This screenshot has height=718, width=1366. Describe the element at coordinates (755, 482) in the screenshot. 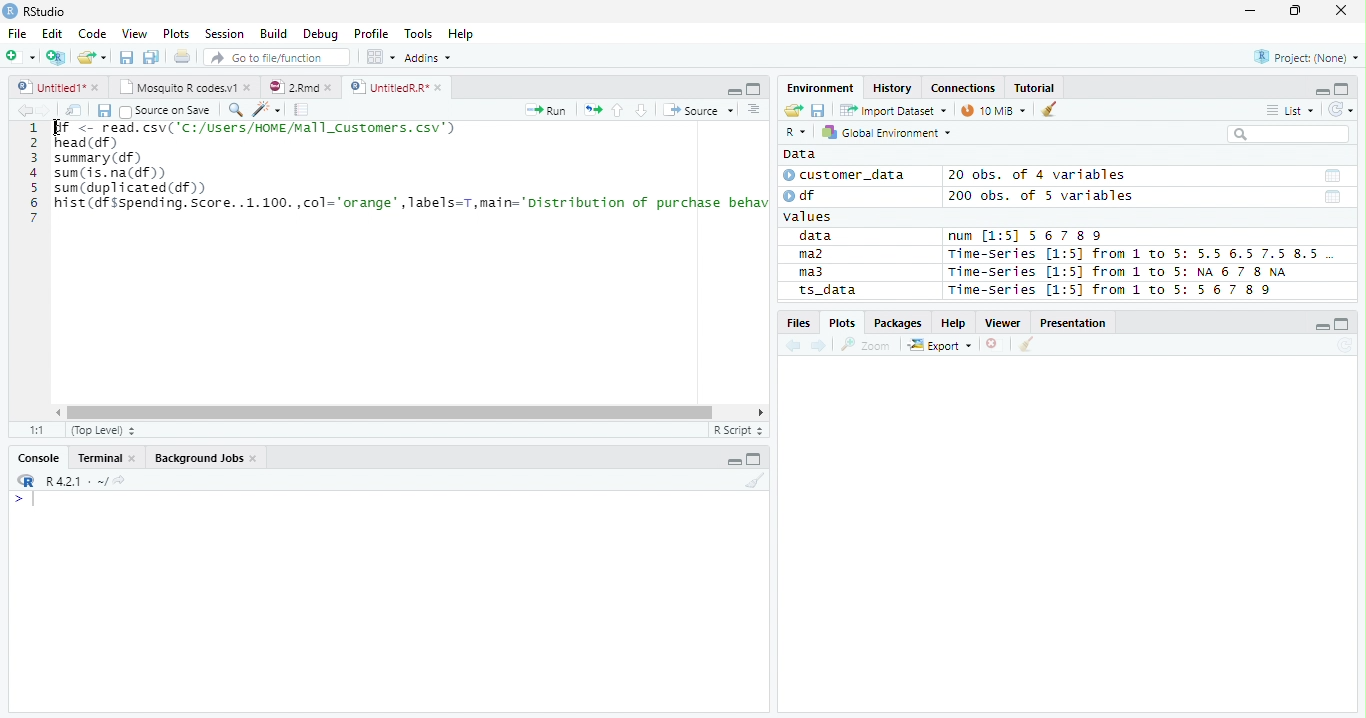

I see `Clean` at that location.